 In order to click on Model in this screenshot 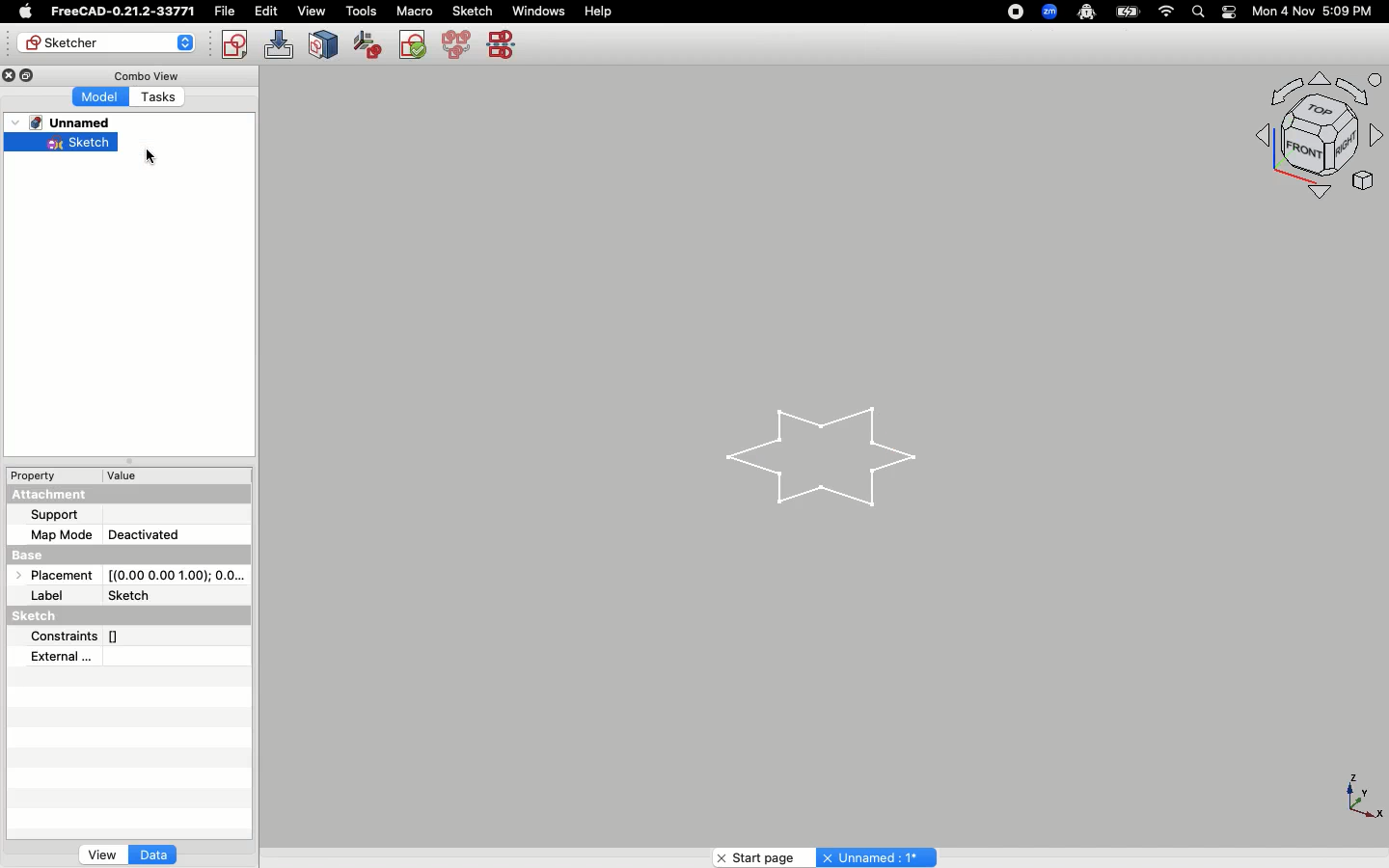, I will do `click(89, 95)`.